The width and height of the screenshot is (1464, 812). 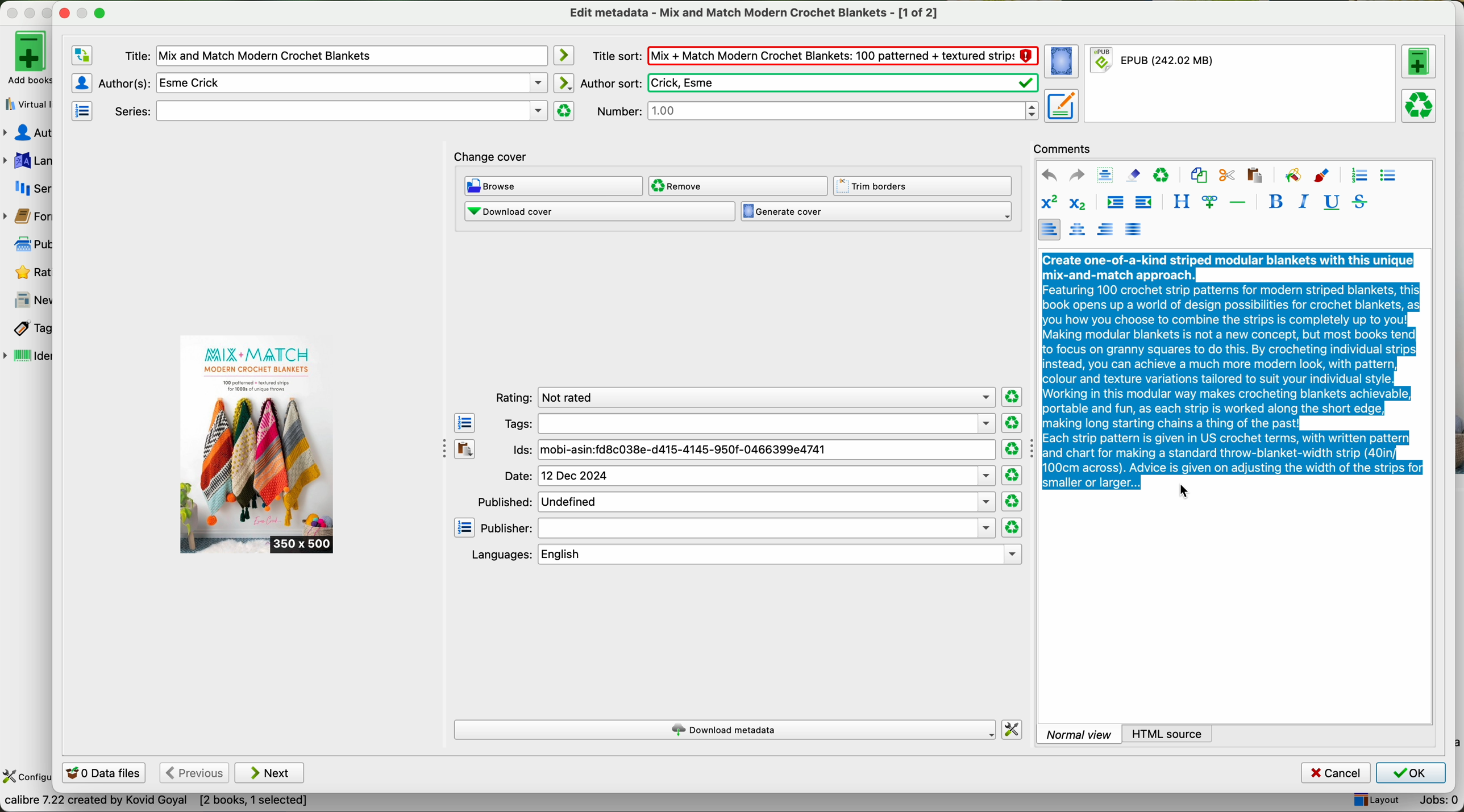 What do you see at coordinates (1227, 176) in the screenshot?
I see `cut` at bounding box center [1227, 176].